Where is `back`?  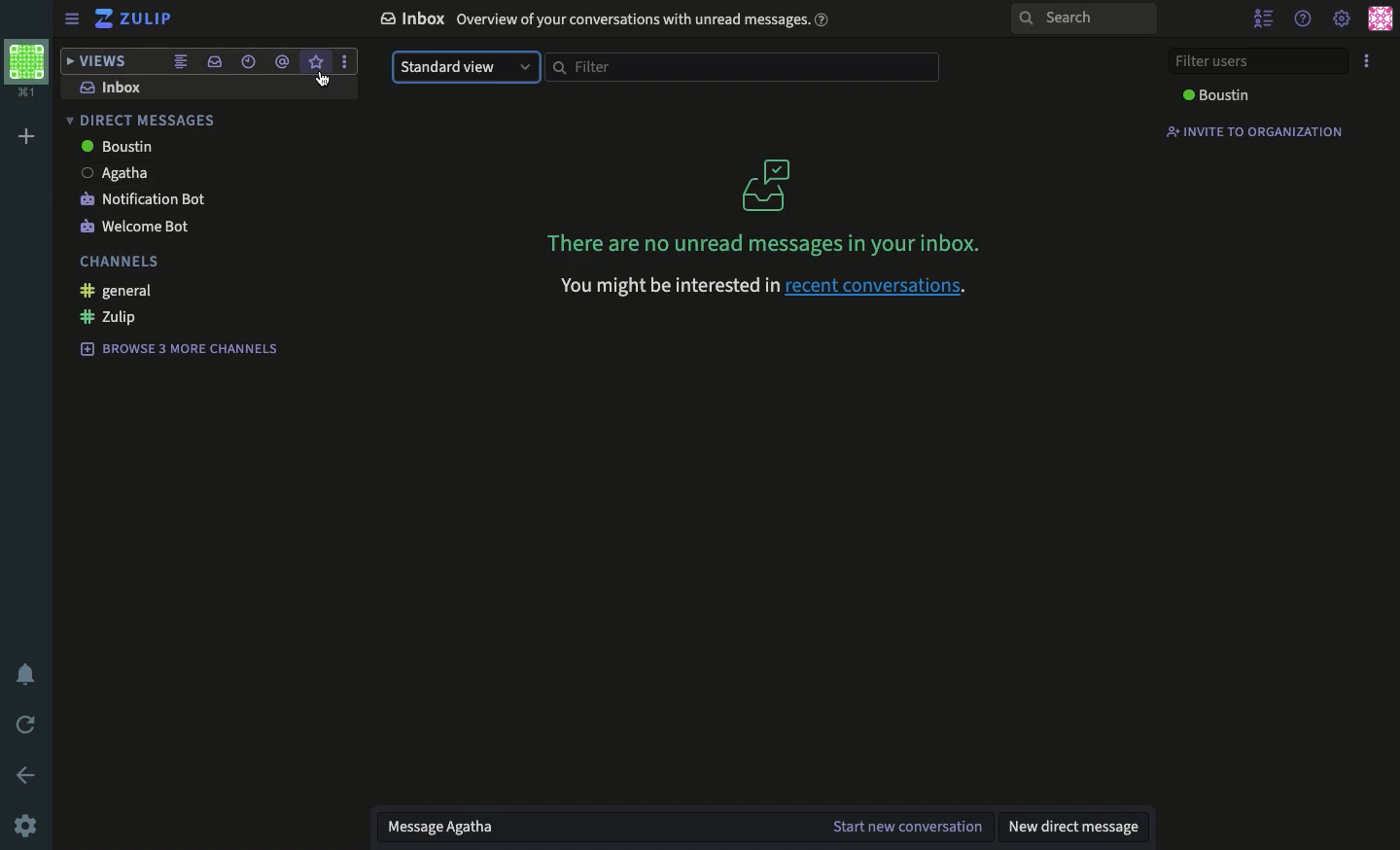
back is located at coordinates (30, 724).